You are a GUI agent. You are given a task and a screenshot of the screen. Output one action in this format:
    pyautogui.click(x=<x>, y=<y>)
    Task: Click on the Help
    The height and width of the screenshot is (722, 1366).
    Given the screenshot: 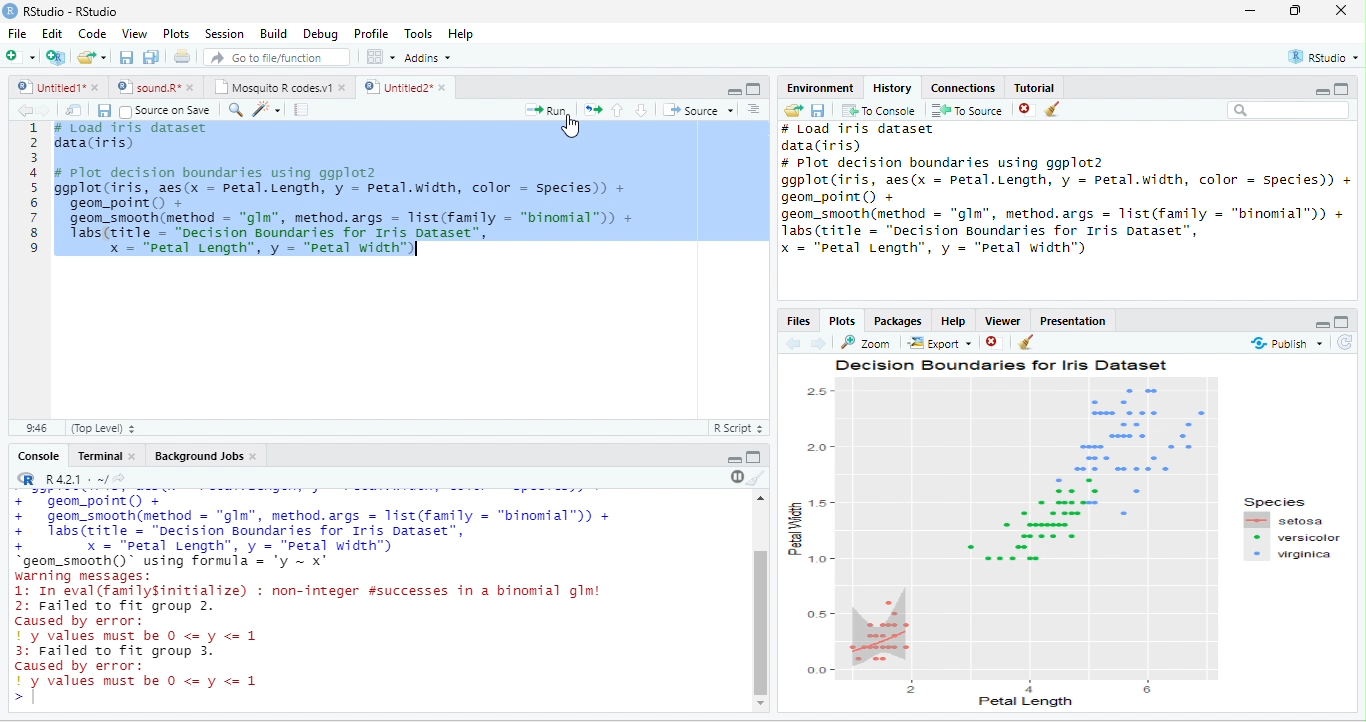 What is the action you would take?
    pyautogui.click(x=463, y=35)
    